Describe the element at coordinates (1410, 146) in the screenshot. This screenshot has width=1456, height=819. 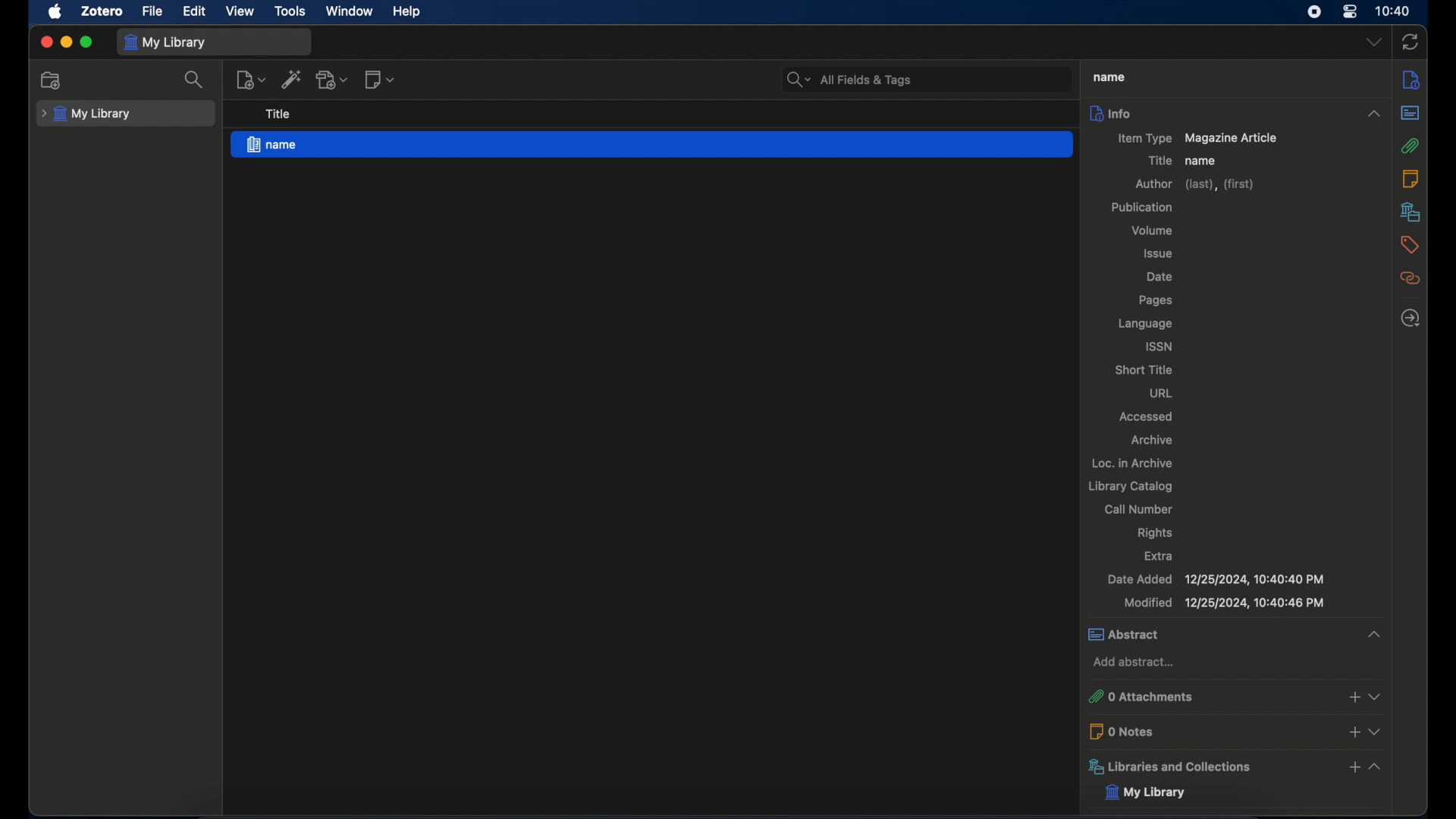
I see `attachments` at that location.